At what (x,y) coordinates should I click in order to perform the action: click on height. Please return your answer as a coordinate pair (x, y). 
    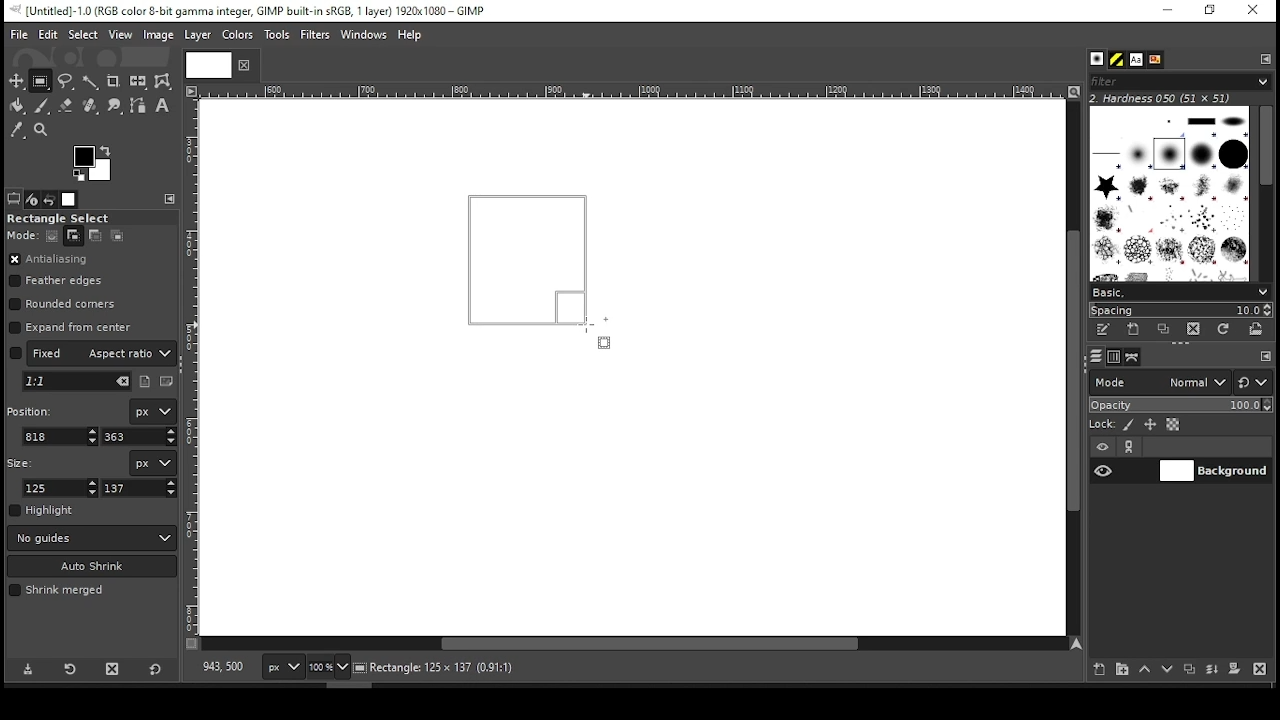
    Looking at the image, I should click on (140, 488).